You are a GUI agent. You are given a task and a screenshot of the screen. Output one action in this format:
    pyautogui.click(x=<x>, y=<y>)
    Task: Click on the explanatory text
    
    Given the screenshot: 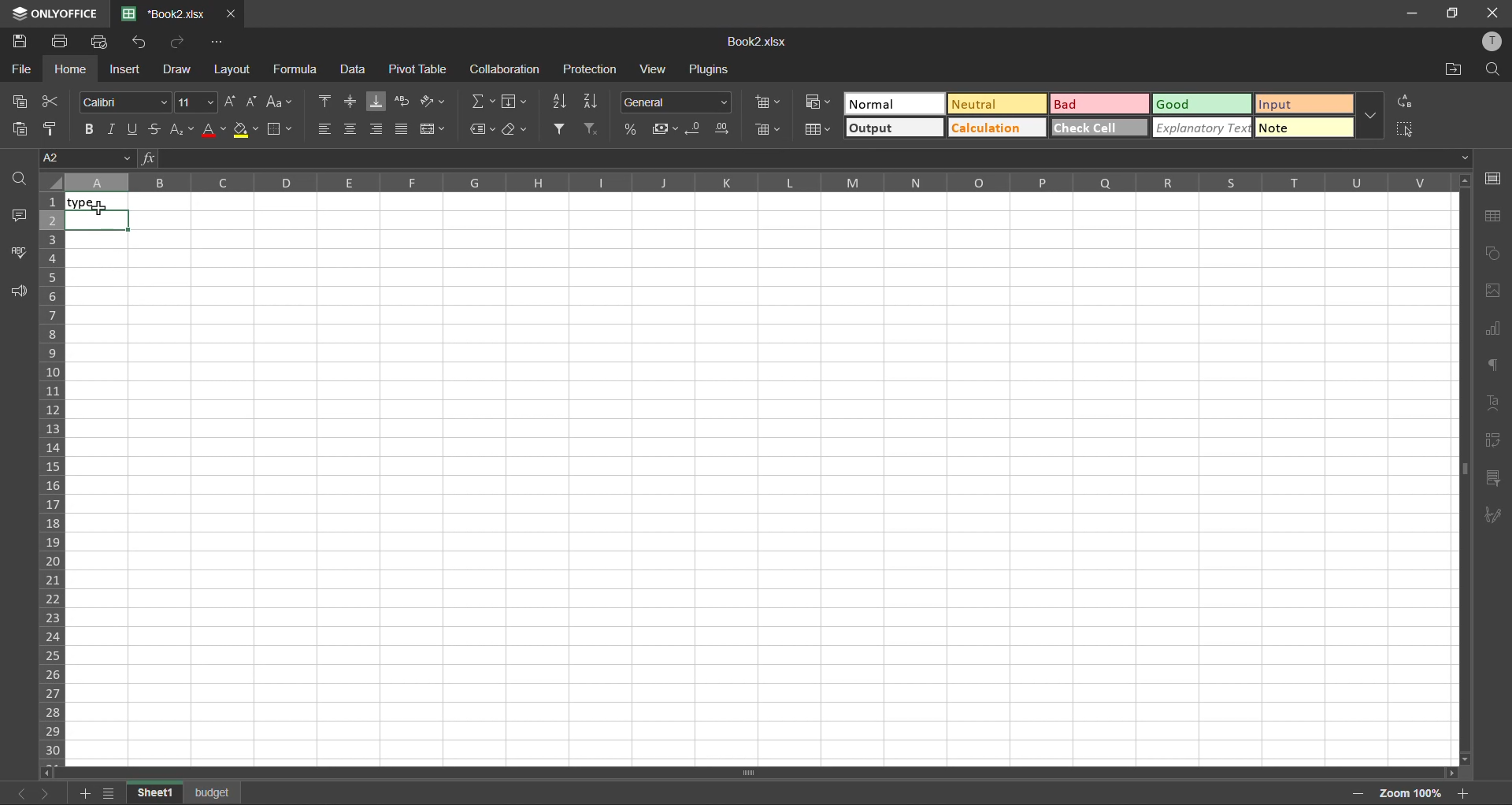 What is the action you would take?
    pyautogui.click(x=1204, y=129)
    